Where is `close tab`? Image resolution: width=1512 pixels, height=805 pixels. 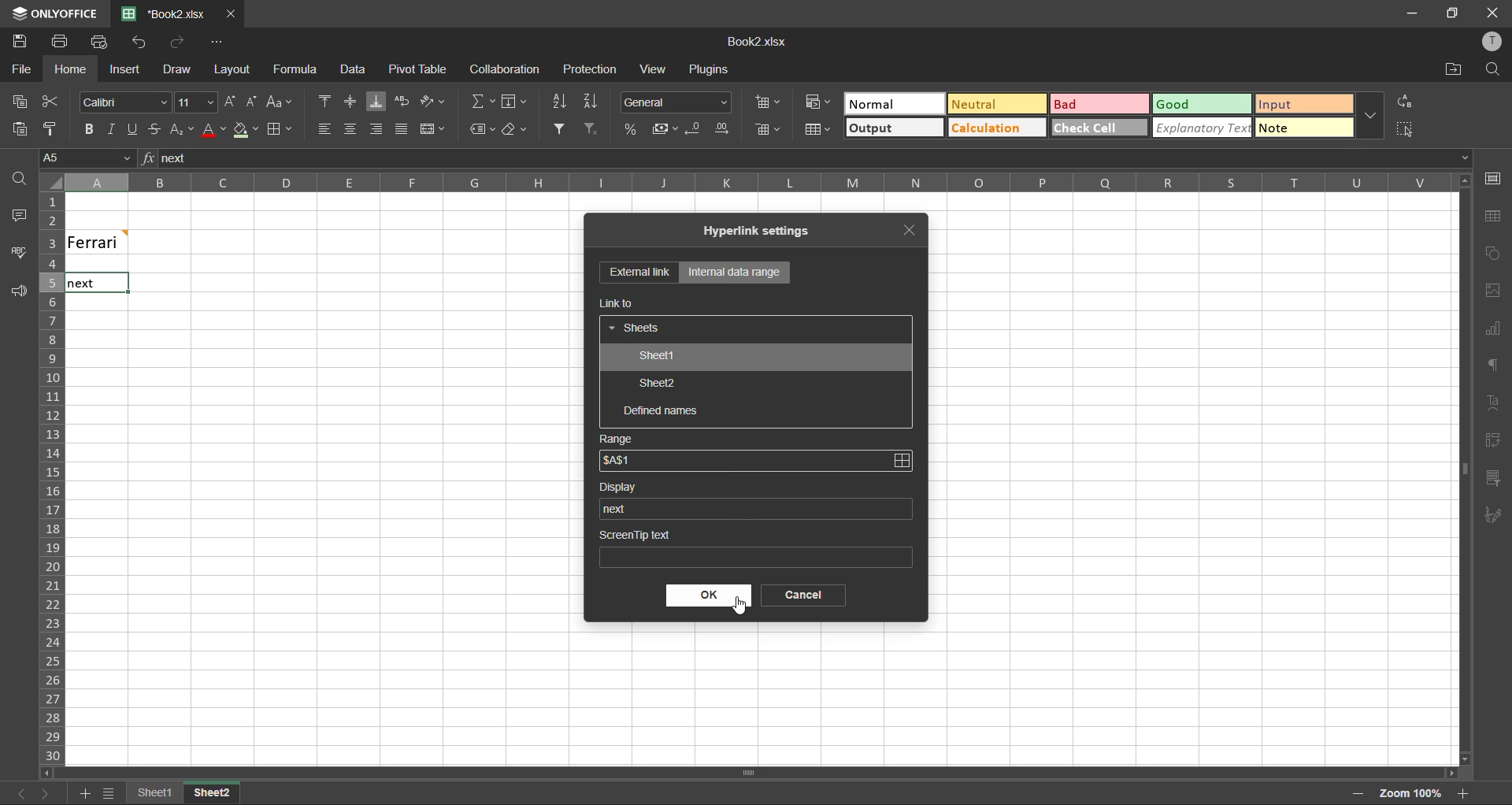 close tab is located at coordinates (916, 228).